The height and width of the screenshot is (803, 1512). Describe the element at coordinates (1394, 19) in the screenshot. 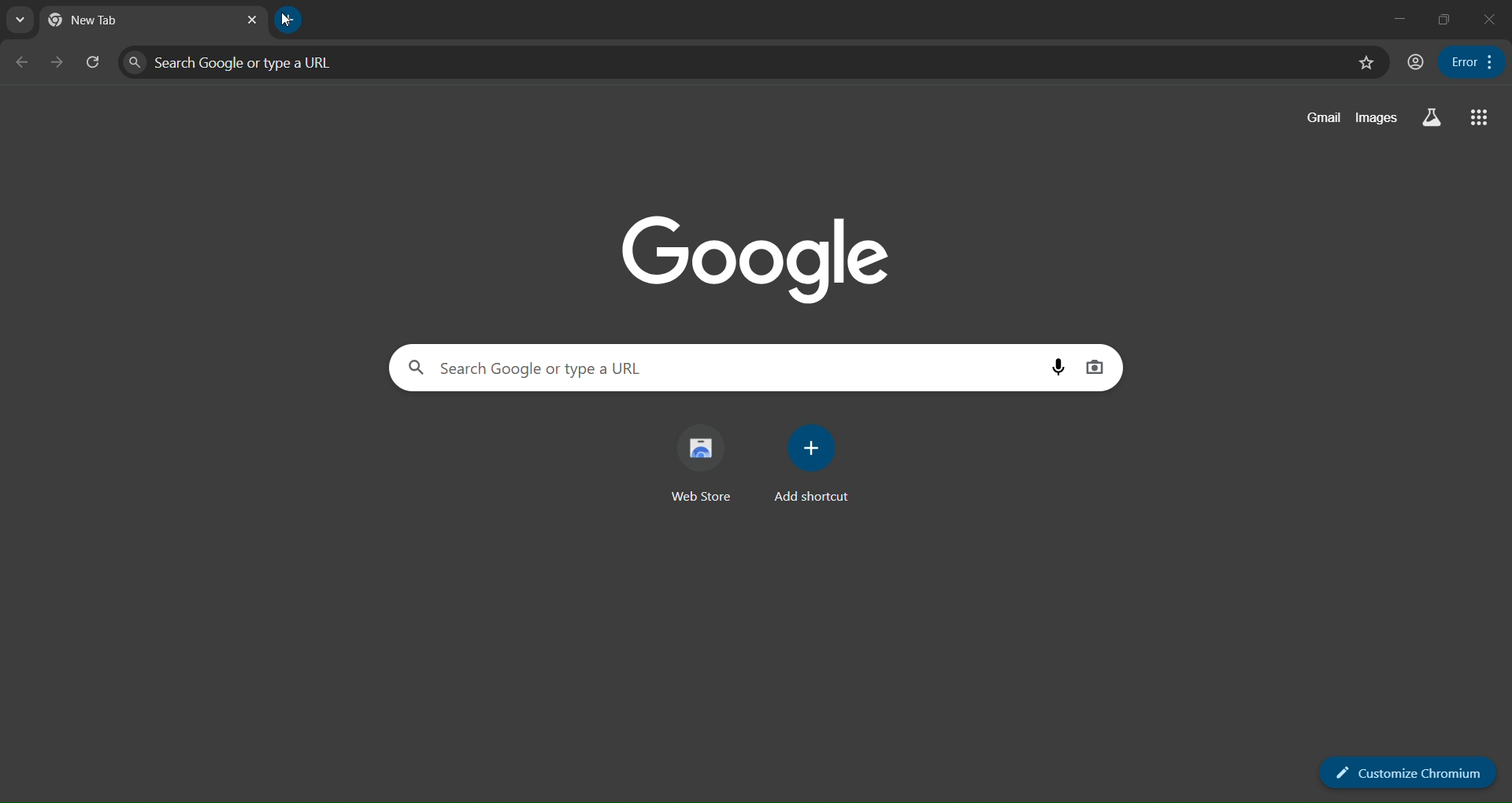

I see `minimize` at that location.